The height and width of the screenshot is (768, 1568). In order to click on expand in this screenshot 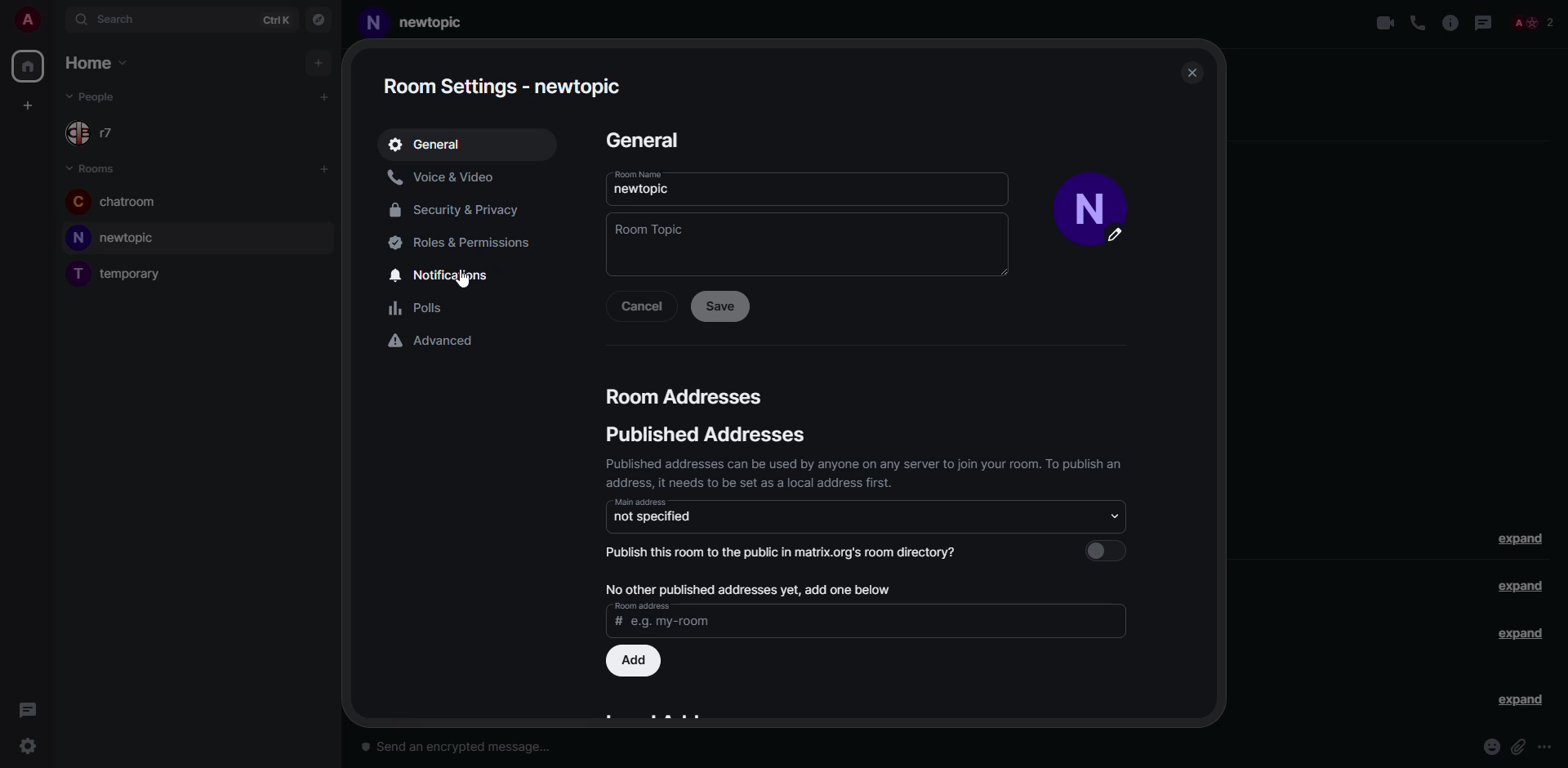, I will do `click(1519, 700)`.